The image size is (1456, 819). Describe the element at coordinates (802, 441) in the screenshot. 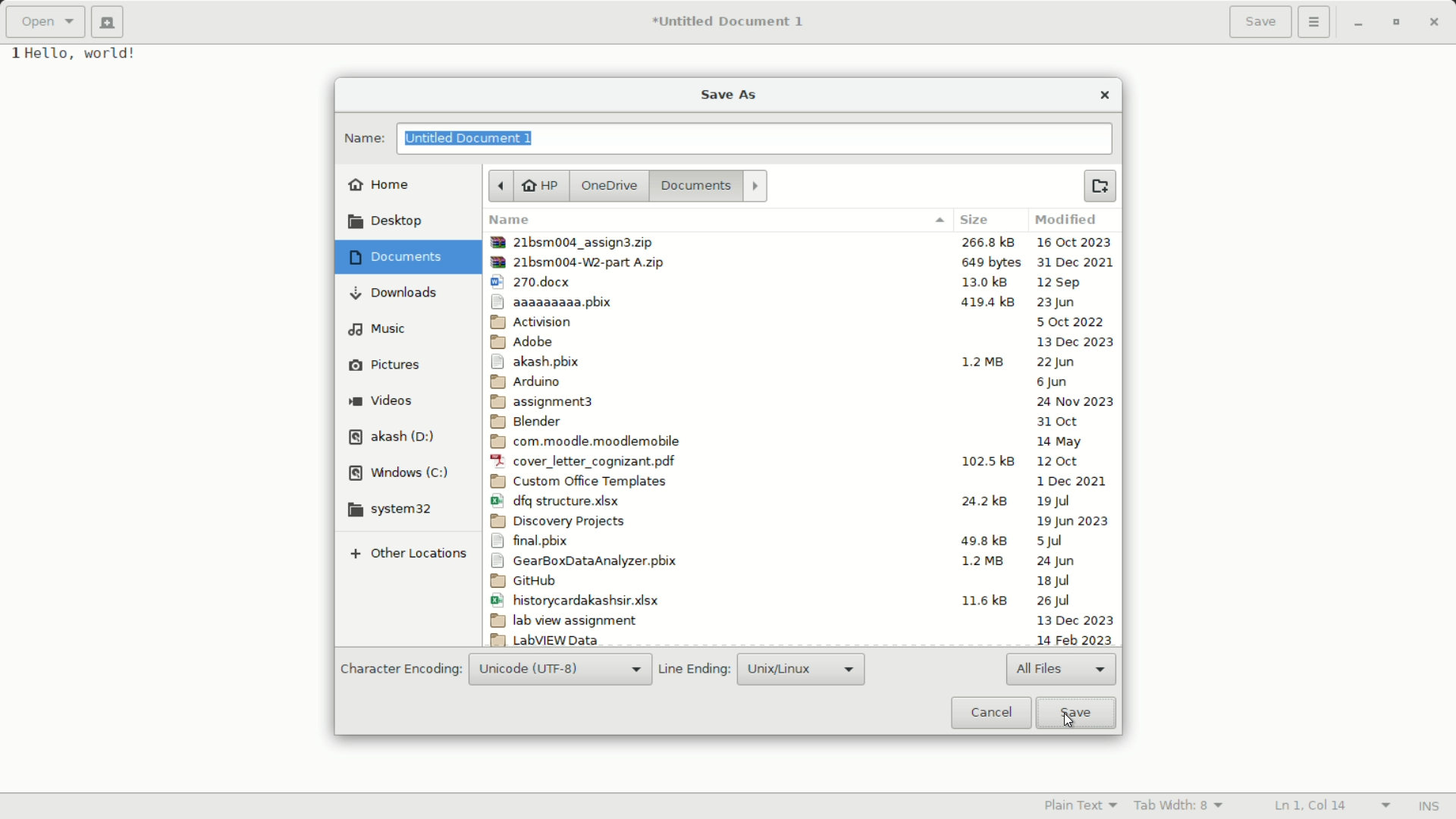

I see `File` at that location.